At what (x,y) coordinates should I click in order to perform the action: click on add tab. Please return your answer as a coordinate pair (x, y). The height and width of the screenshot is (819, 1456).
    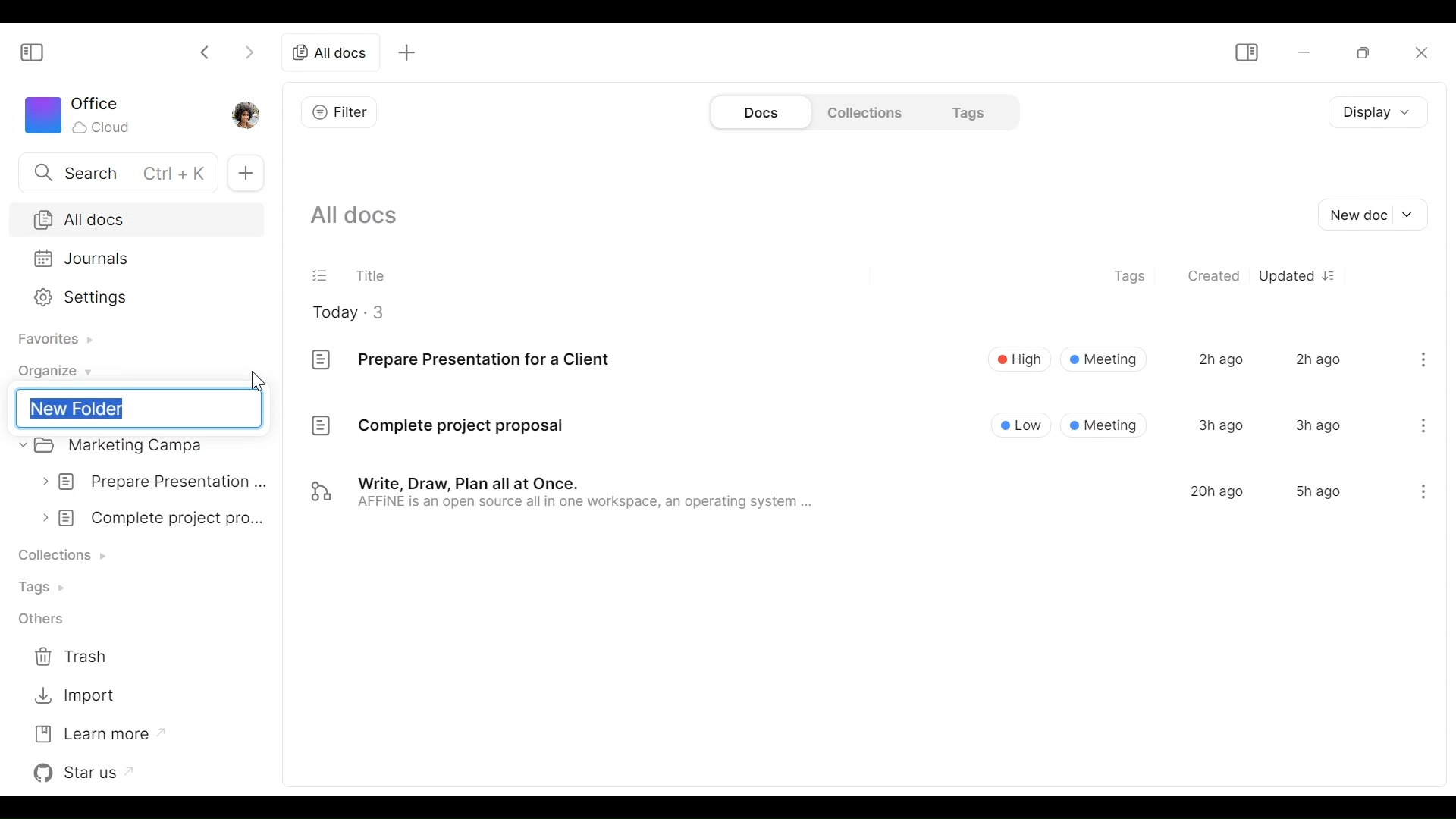
    Looking at the image, I should click on (412, 52).